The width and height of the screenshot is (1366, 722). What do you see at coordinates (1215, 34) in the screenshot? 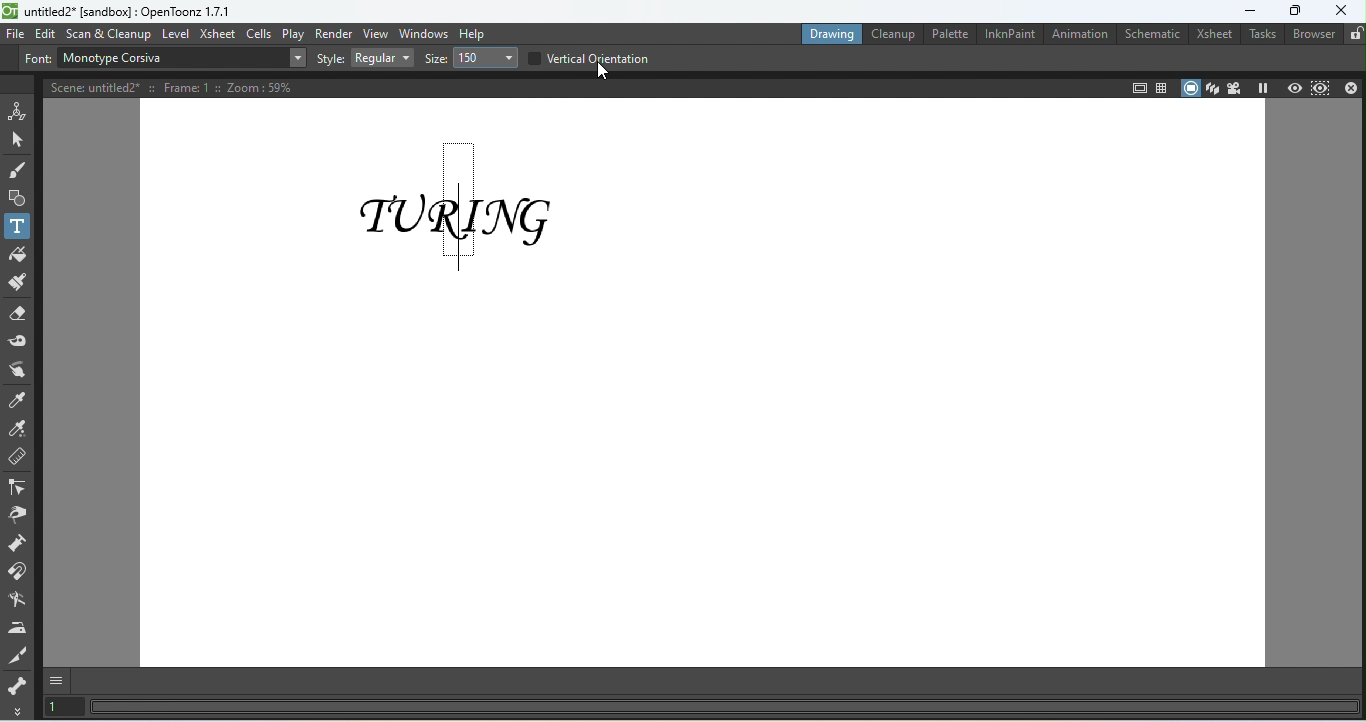
I see `Xsheet` at bounding box center [1215, 34].